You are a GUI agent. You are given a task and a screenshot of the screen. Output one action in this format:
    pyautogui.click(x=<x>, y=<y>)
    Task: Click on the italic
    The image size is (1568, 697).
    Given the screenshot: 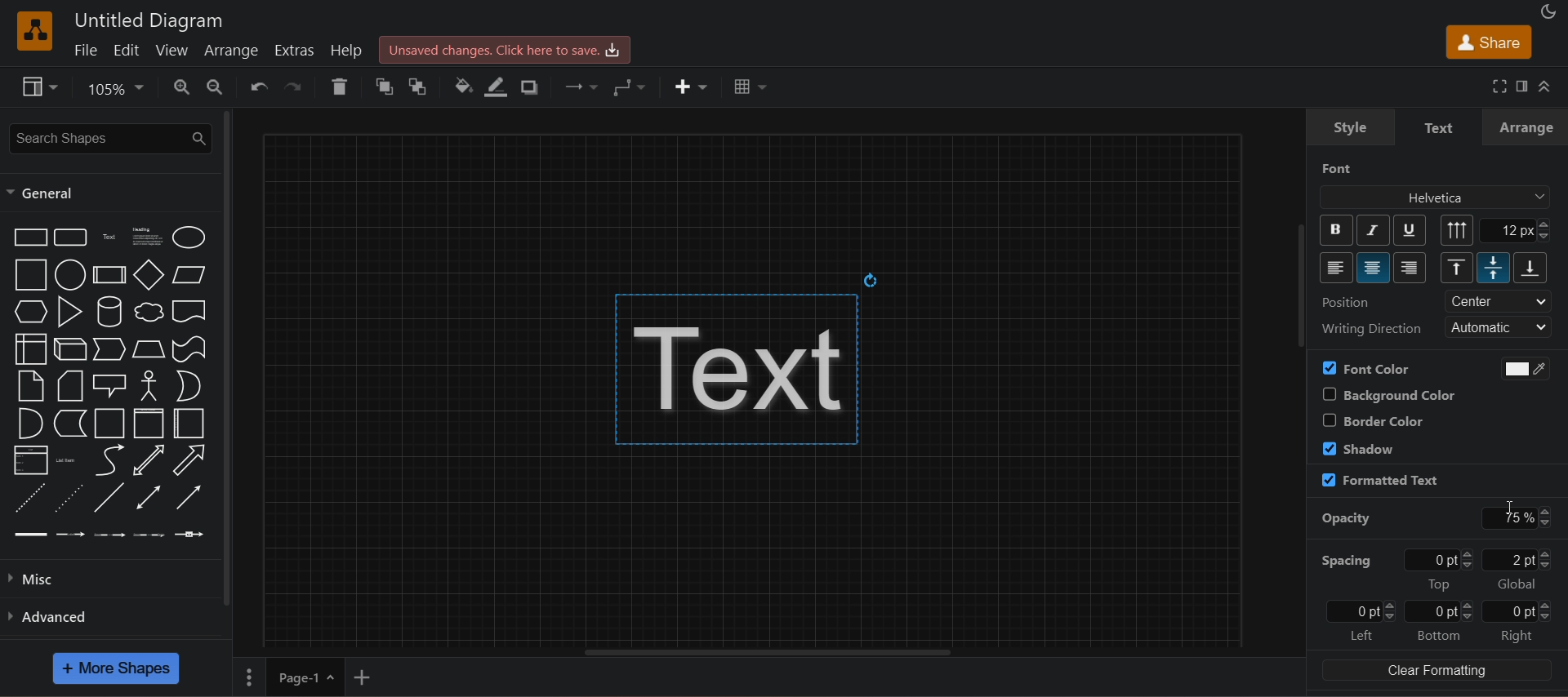 What is the action you would take?
    pyautogui.click(x=1371, y=230)
    